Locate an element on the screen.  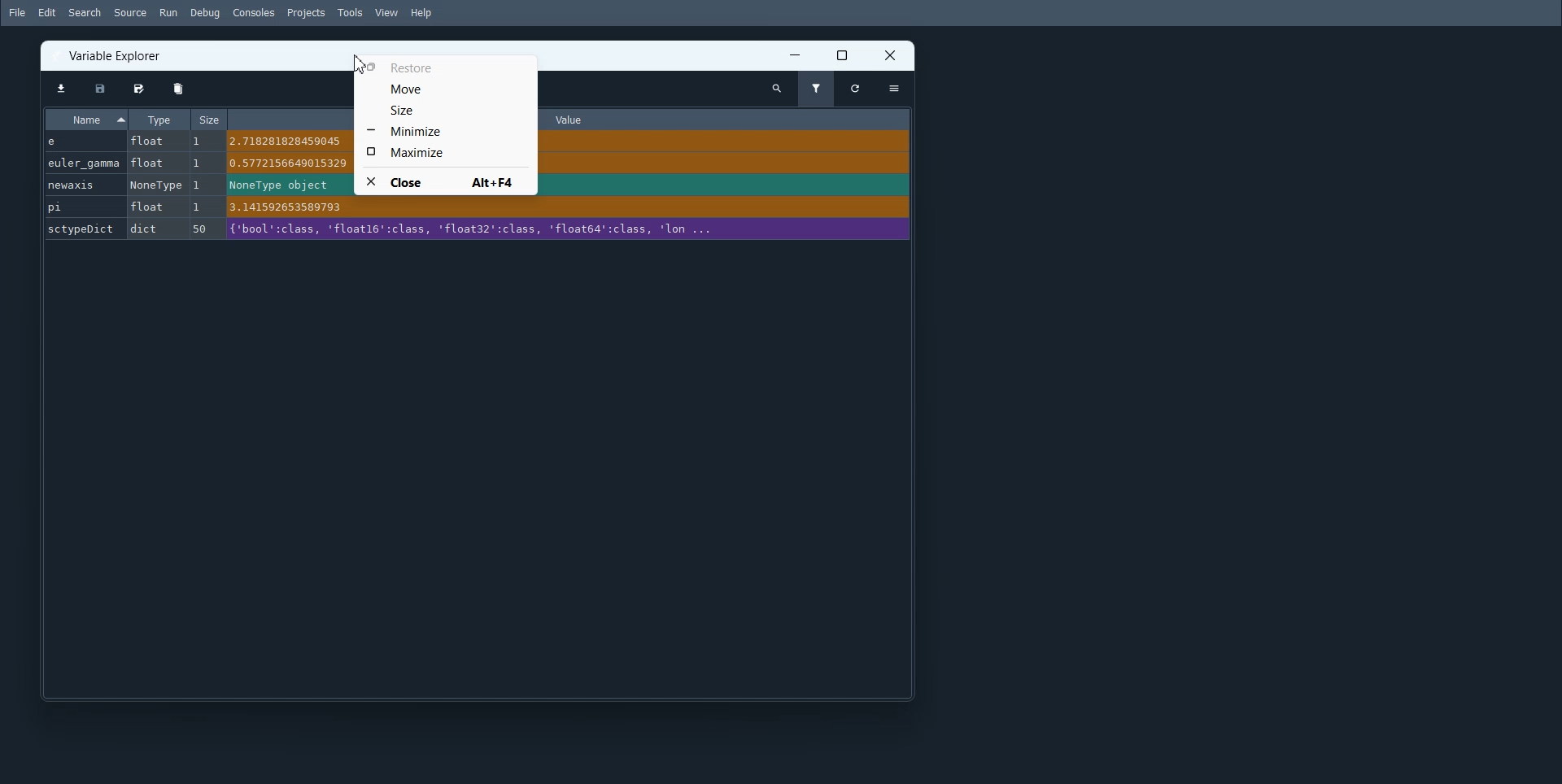
1 is located at coordinates (197, 205).